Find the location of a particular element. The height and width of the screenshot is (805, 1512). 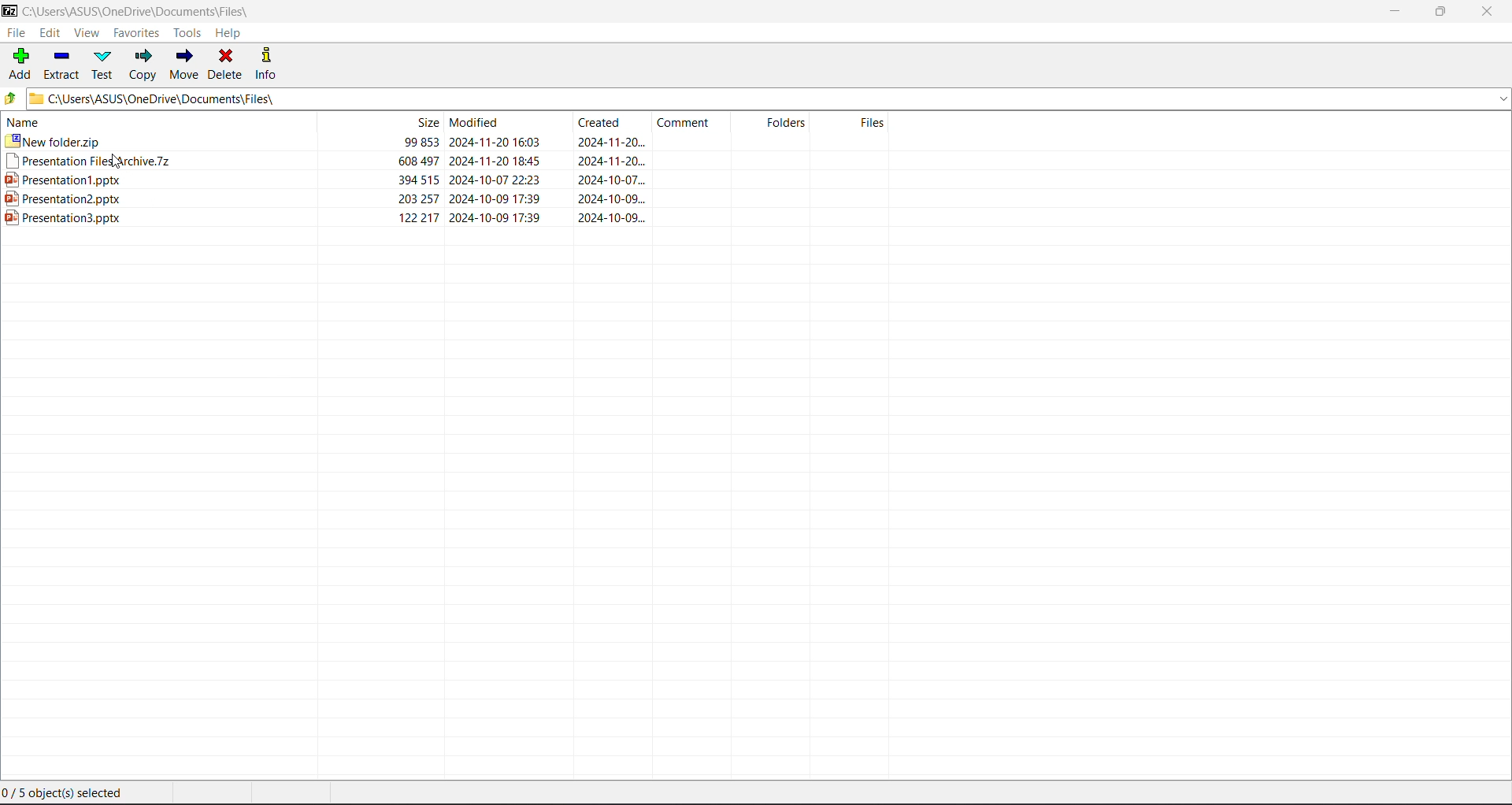

Files is located at coordinates (851, 124).